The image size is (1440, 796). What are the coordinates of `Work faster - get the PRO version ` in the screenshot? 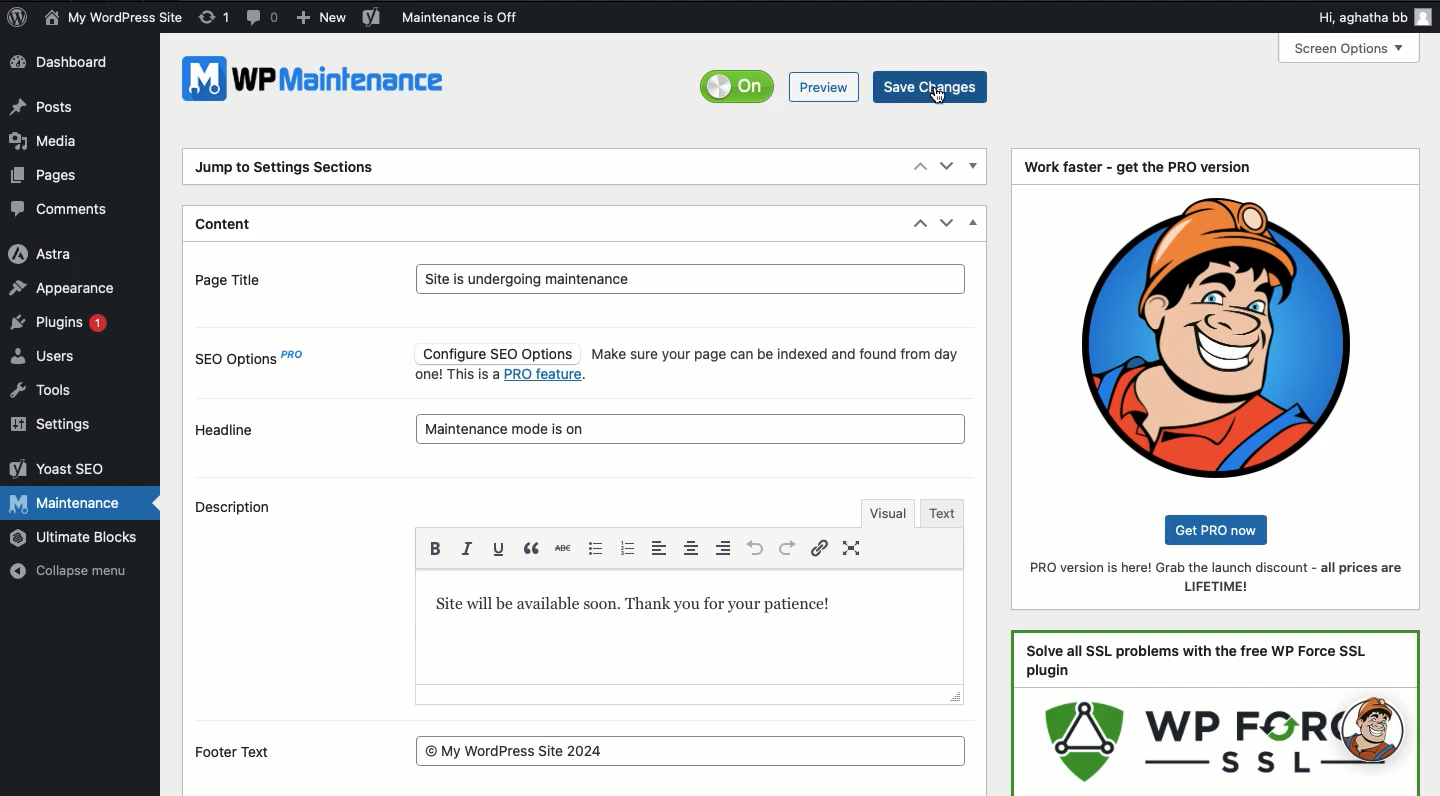 It's located at (1138, 167).